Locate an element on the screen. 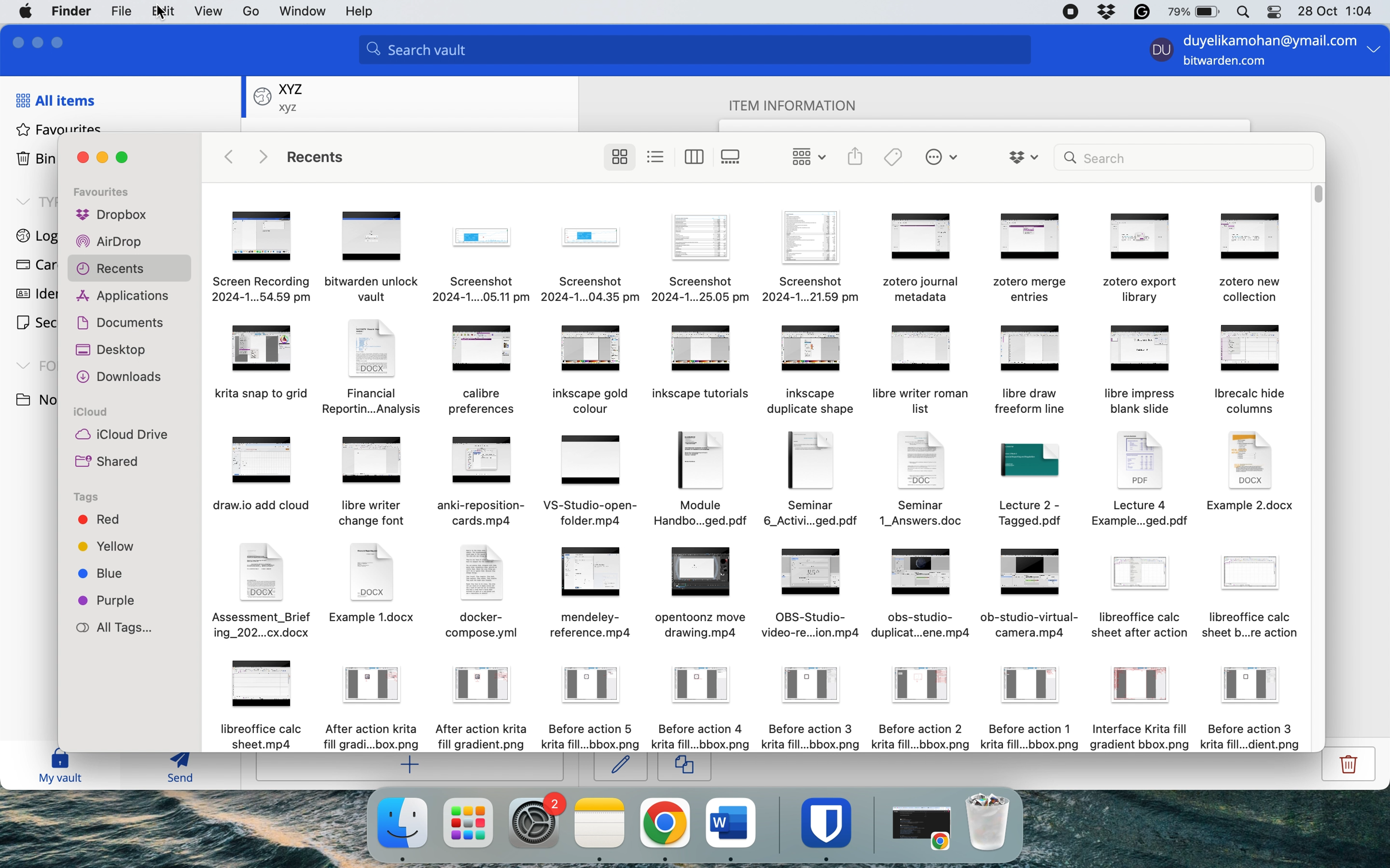 This screenshot has width=1390, height=868. desktop is located at coordinates (117, 350).